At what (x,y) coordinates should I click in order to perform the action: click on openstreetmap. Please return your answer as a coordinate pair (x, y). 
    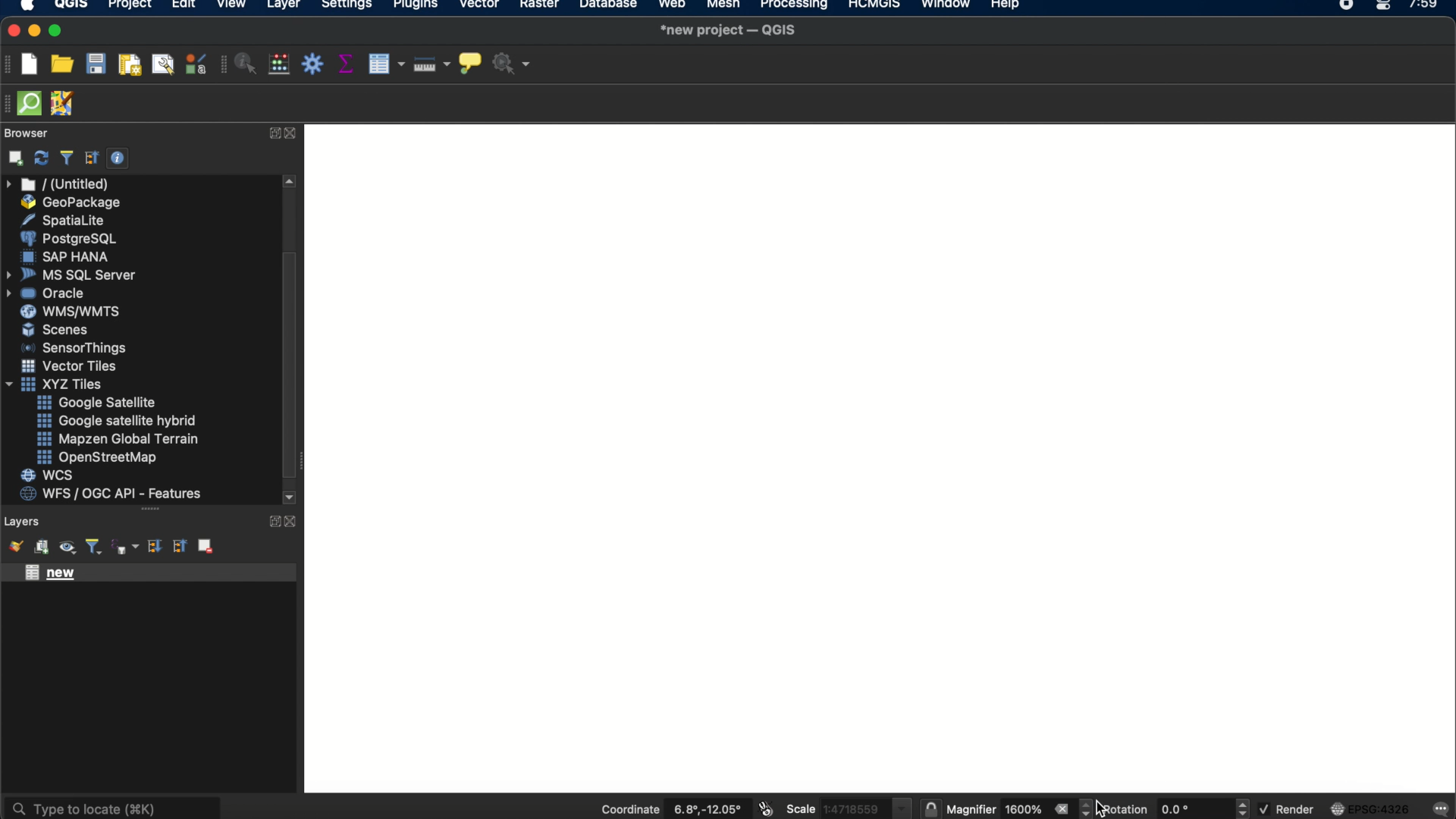
    Looking at the image, I should click on (97, 458).